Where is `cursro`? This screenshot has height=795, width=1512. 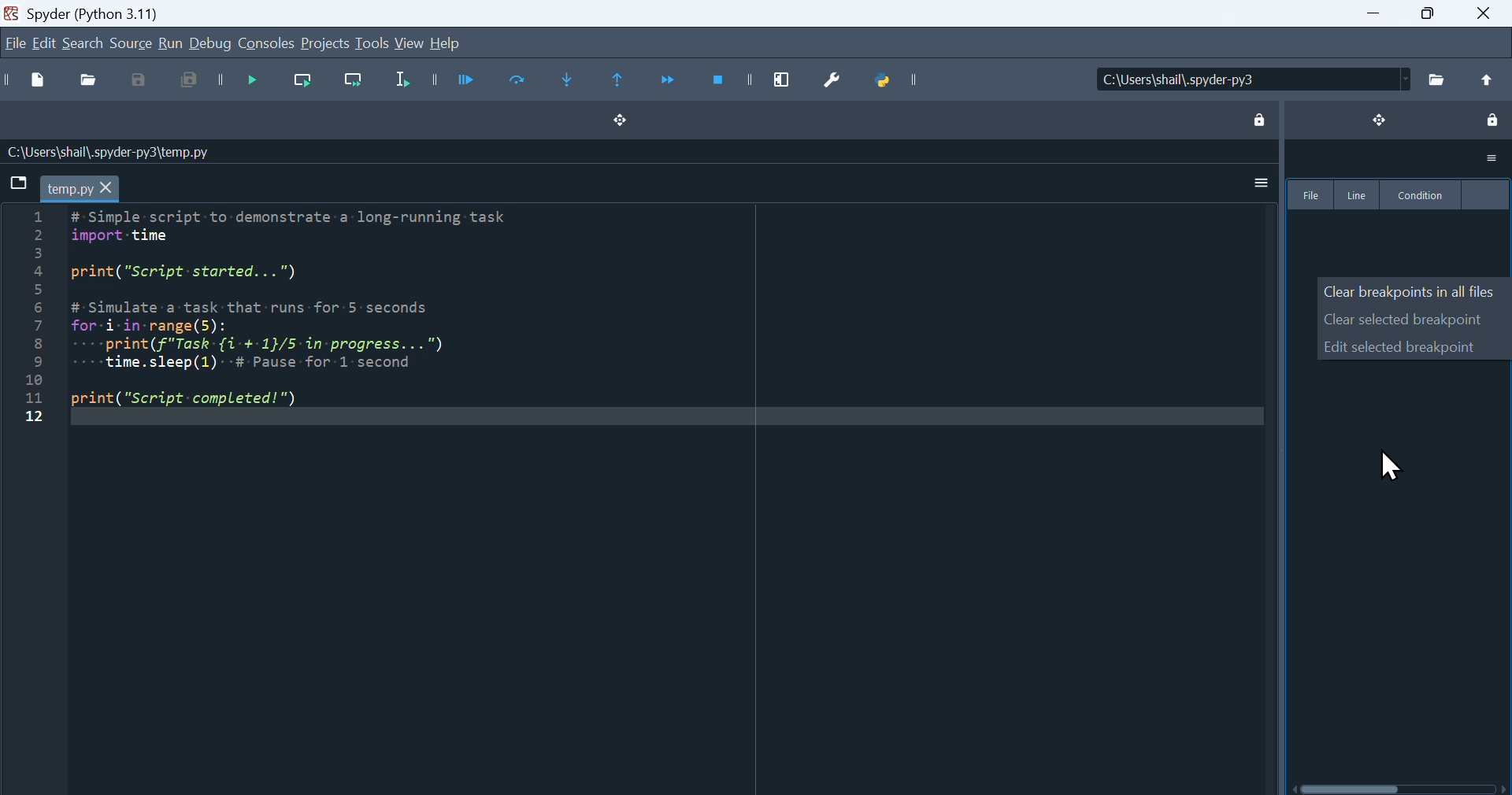
cursro is located at coordinates (1393, 465).